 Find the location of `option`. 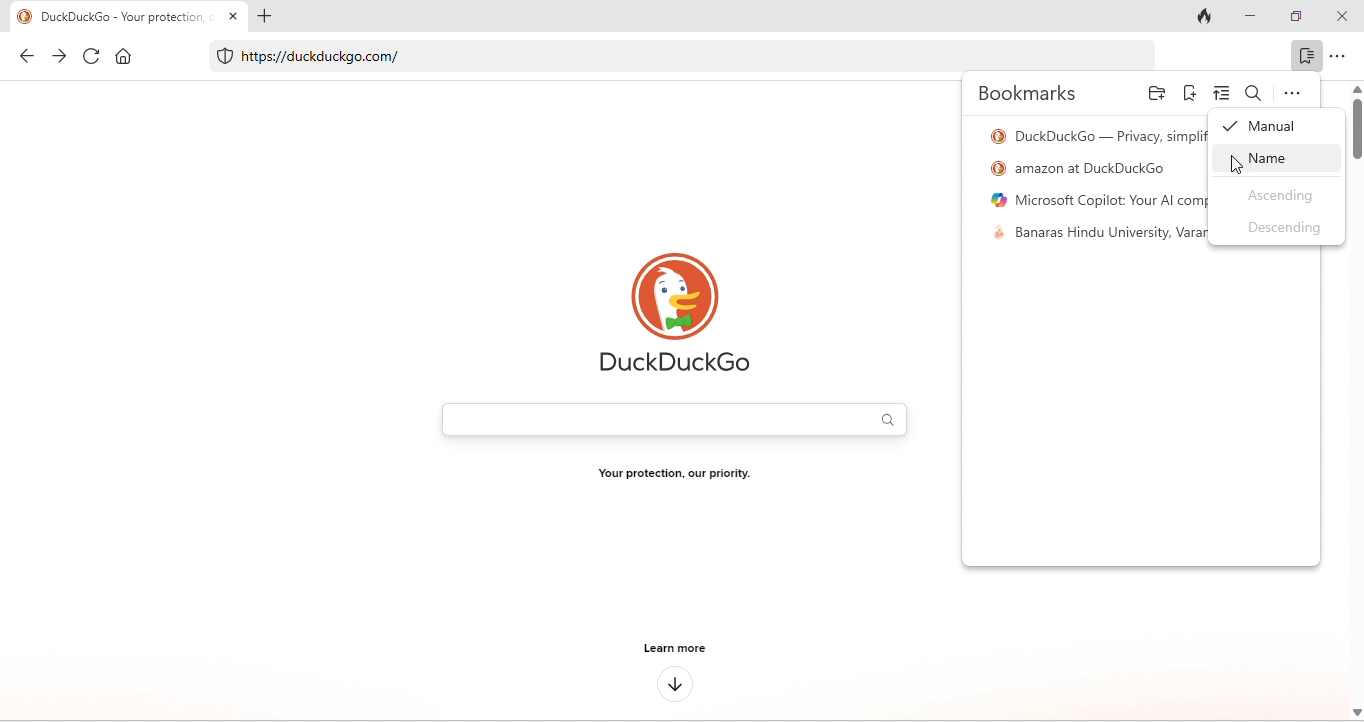

option is located at coordinates (1346, 56).